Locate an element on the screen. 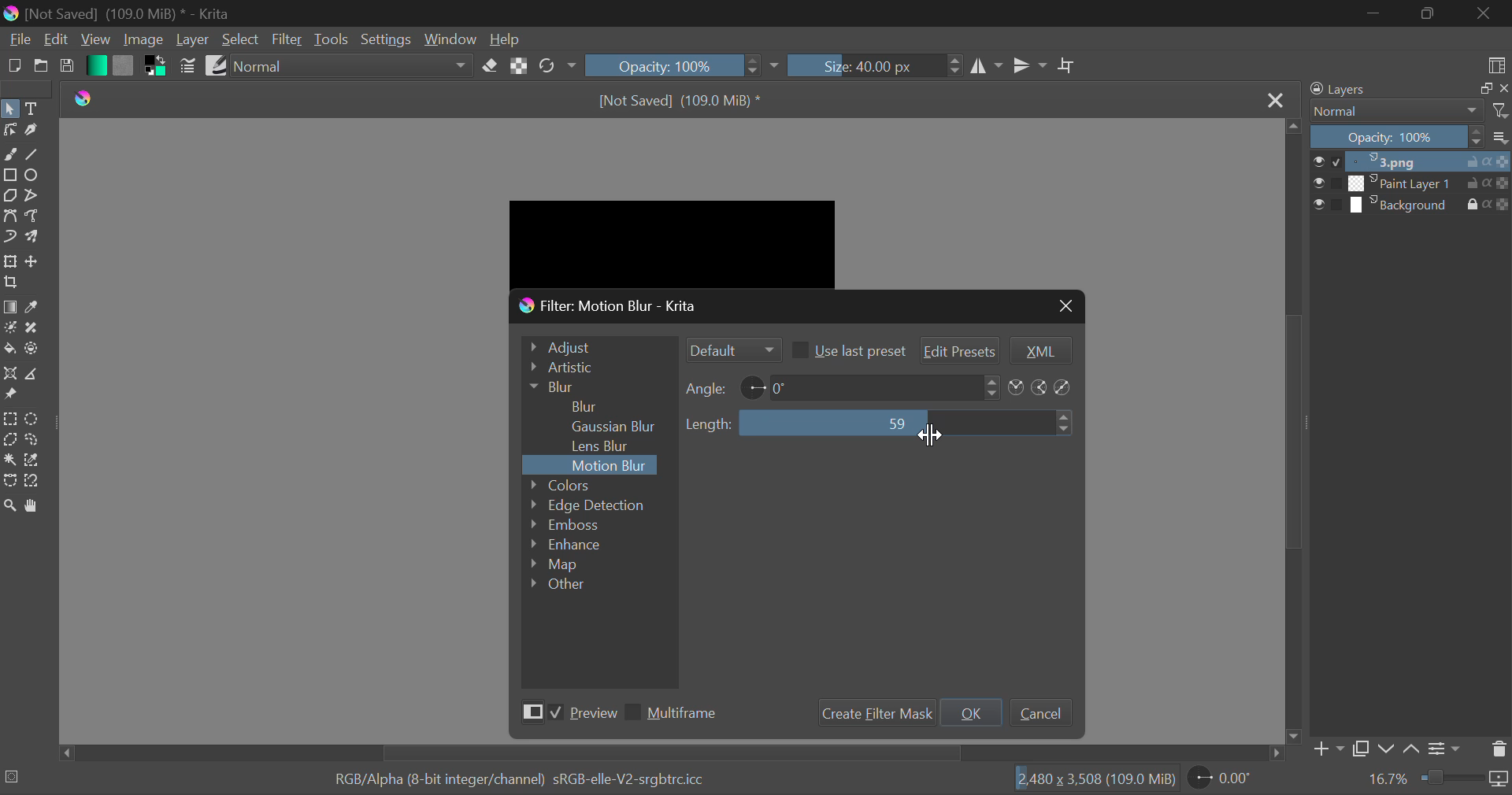 The height and width of the screenshot is (795, 1512). Choose Workspace is located at coordinates (1496, 65).